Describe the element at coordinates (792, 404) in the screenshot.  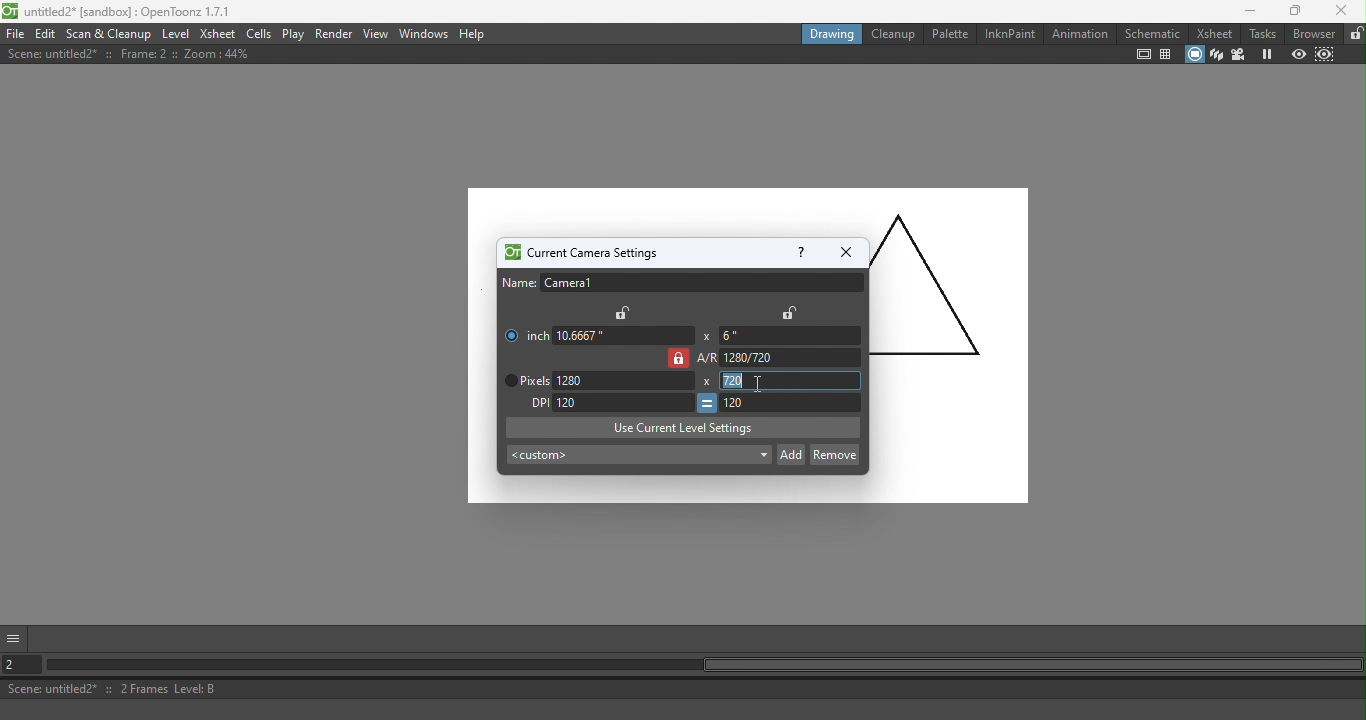
I see `Enter pixel` at that location.